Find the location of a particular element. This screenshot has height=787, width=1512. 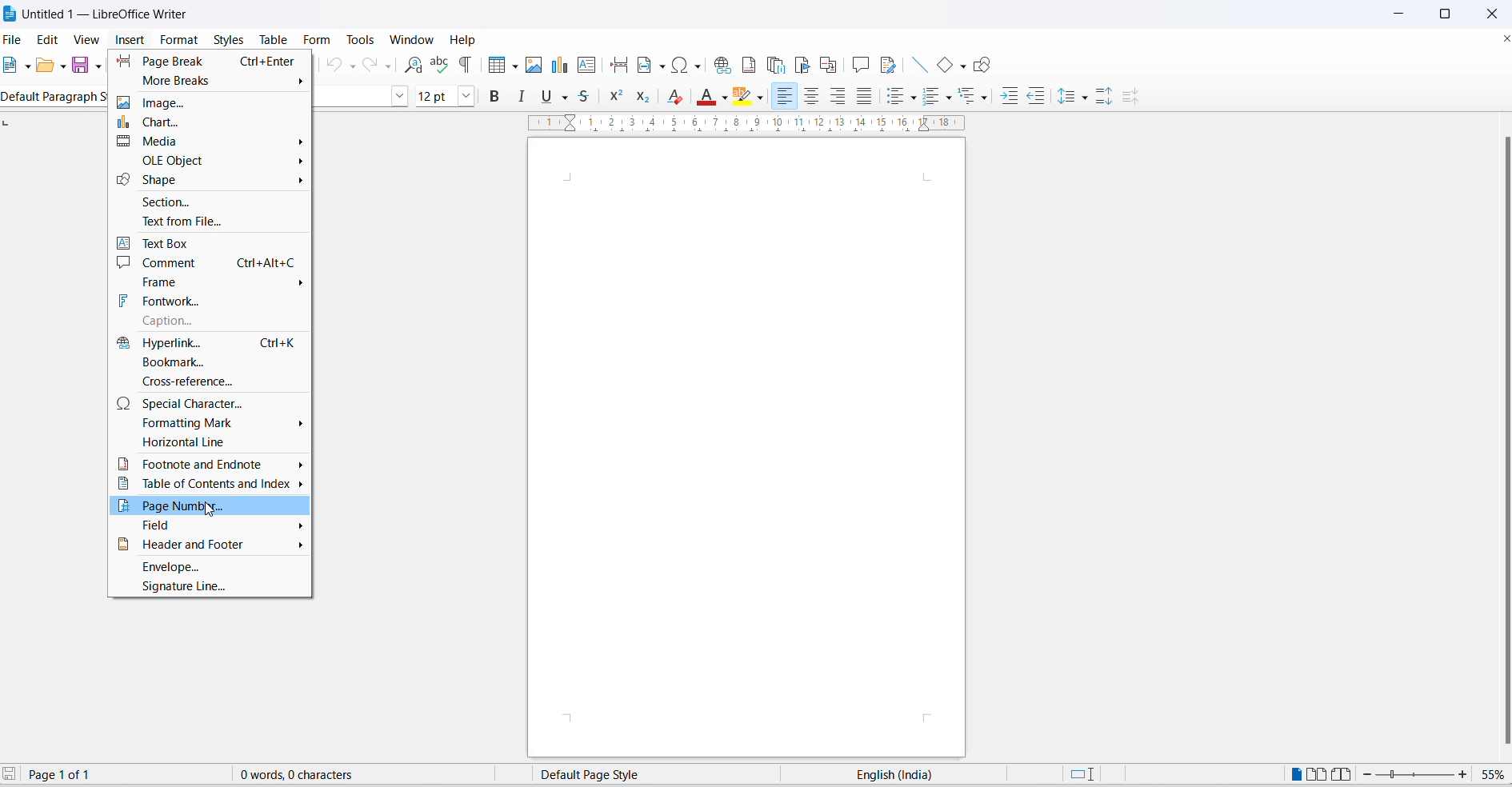

basic shapes options is located at coordinates (958, 66).